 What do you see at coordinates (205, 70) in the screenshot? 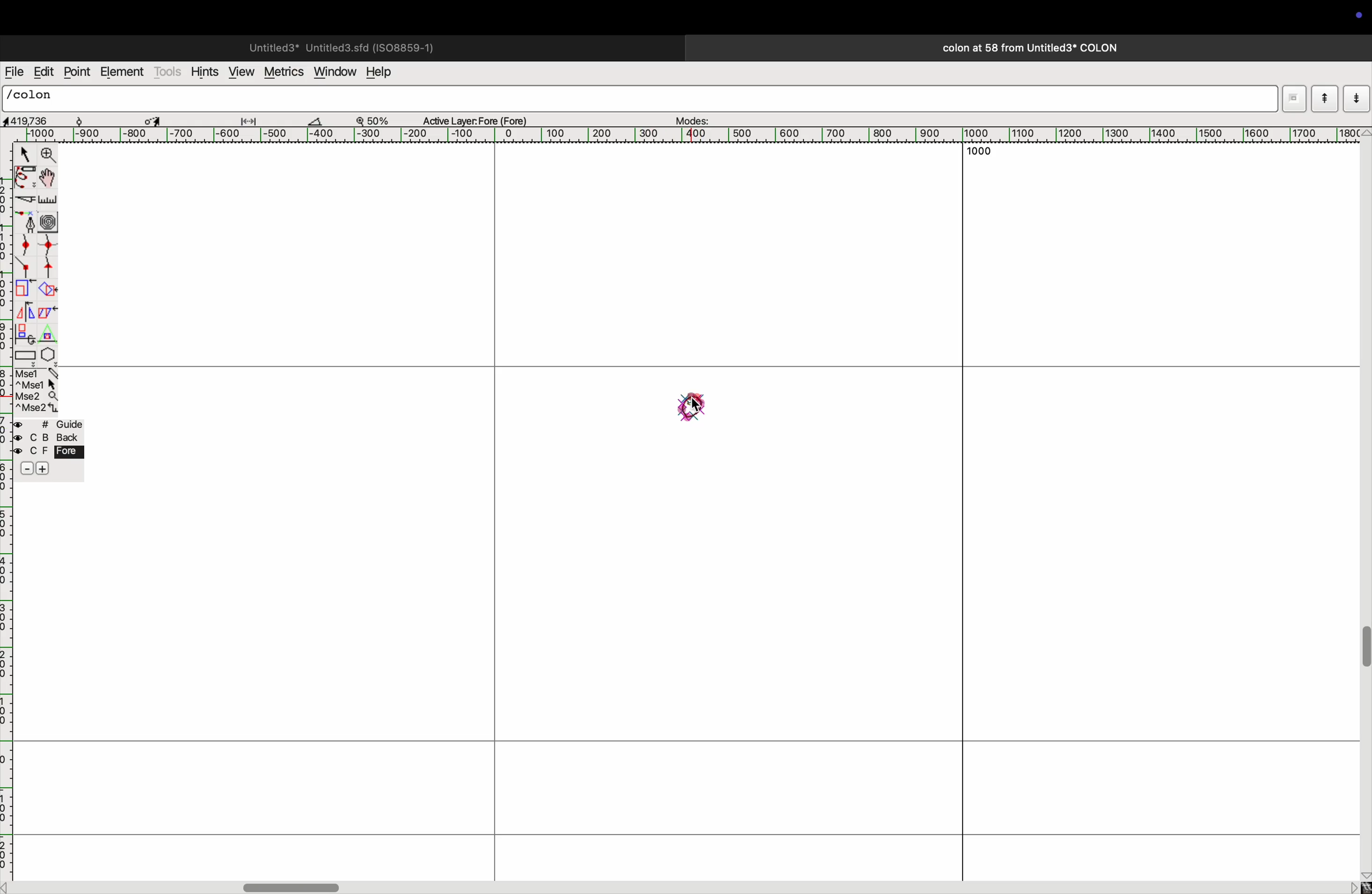
I see `hints` at bounding box center [205, 70].